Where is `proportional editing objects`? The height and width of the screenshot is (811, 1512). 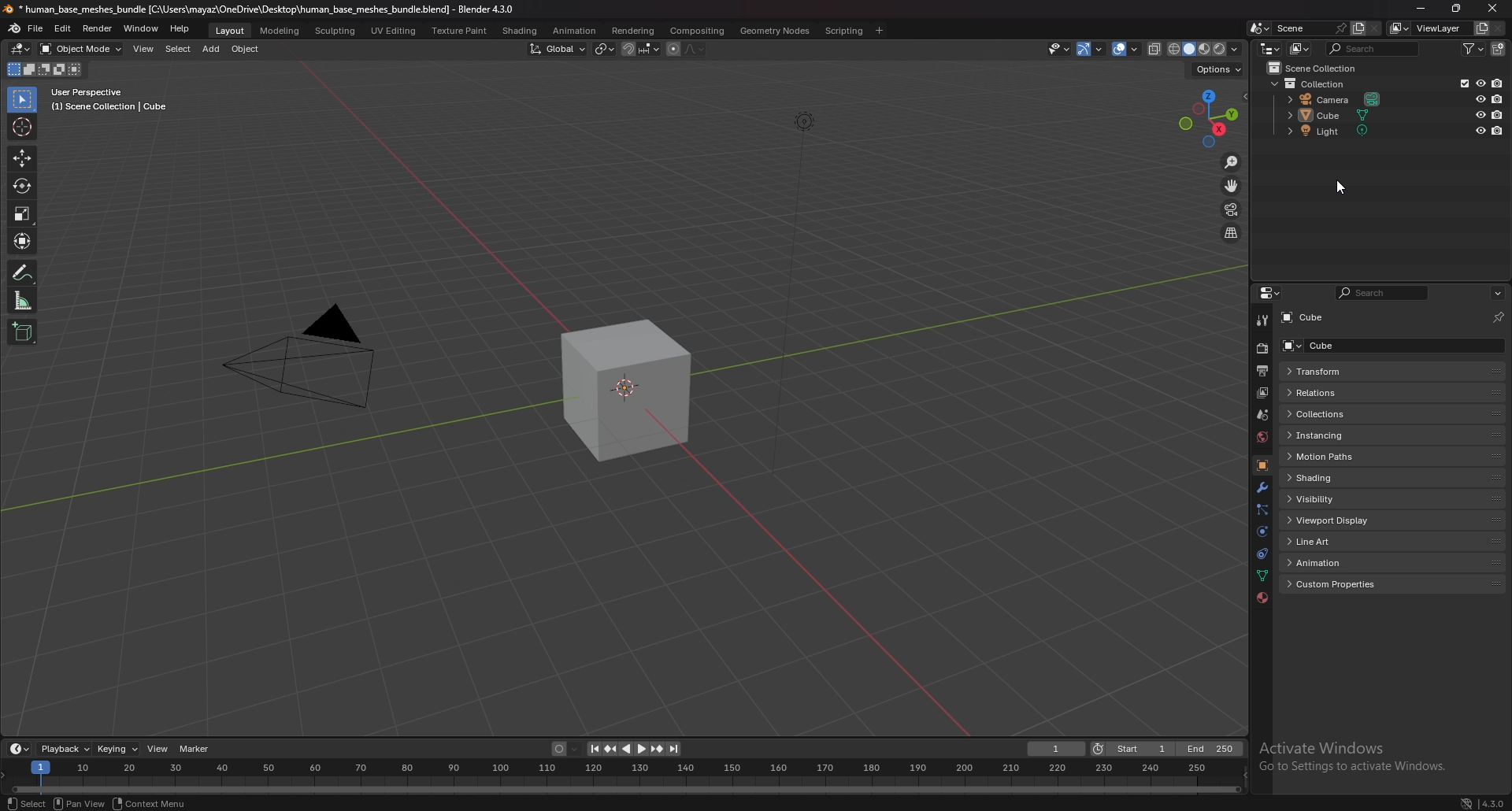
proportional editing objects is located at coordinates (687, 50).